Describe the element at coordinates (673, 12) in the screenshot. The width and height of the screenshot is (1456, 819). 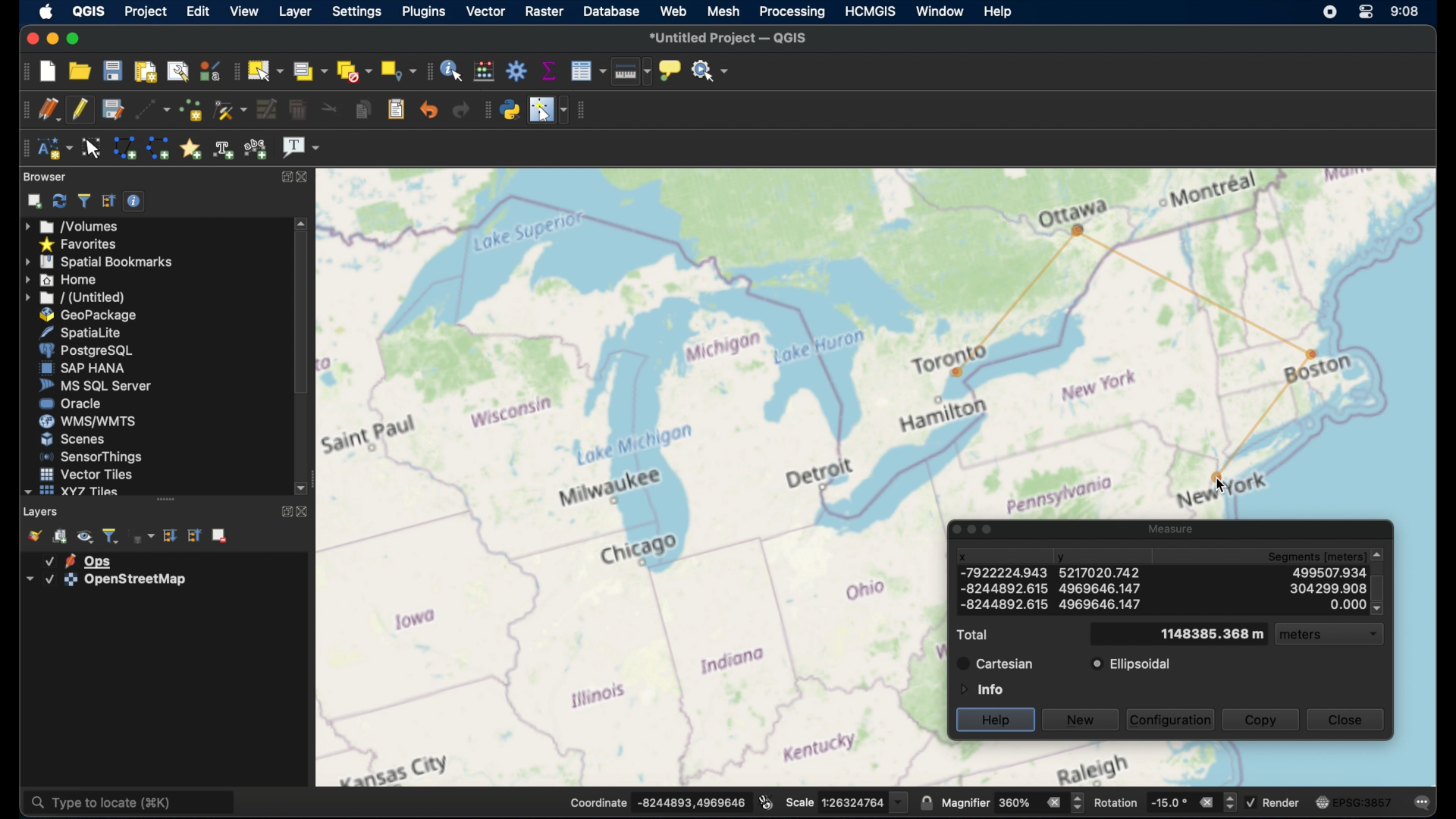
I see `web` at that location.